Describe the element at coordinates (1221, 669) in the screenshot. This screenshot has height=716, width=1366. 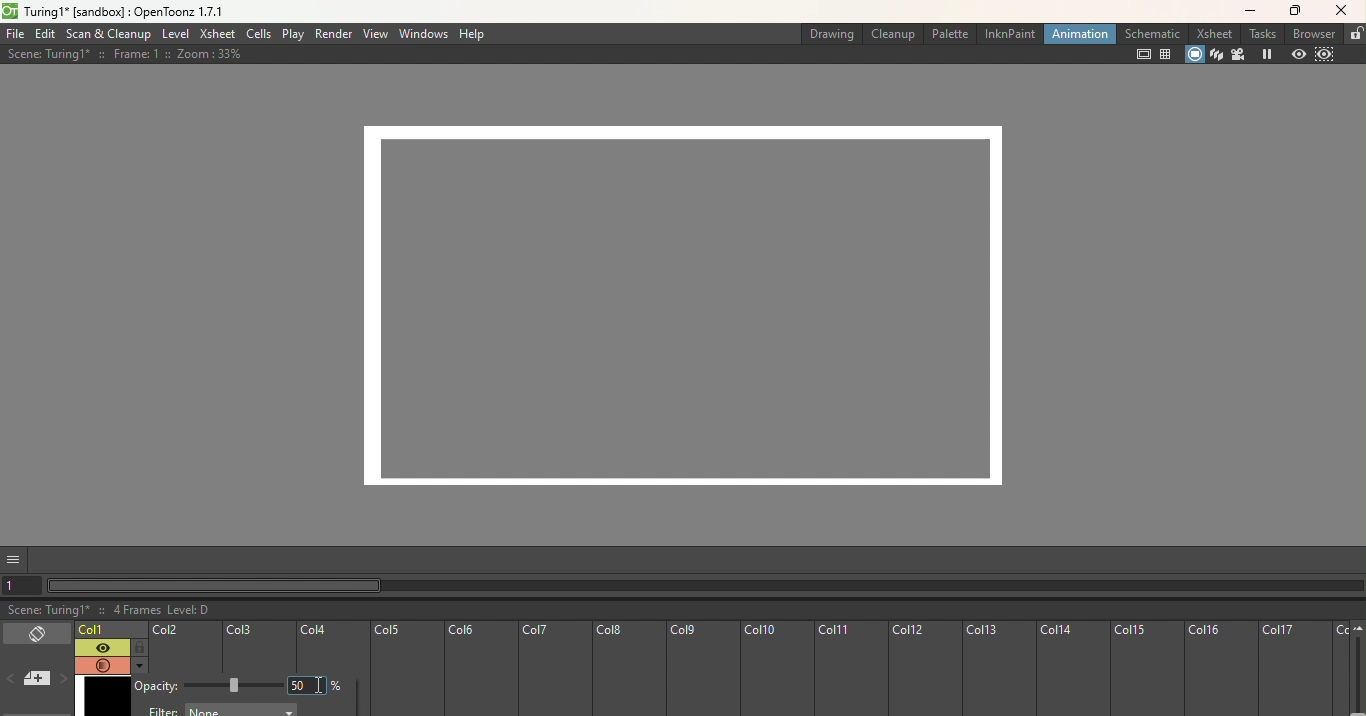
I see `Col16` at that location.